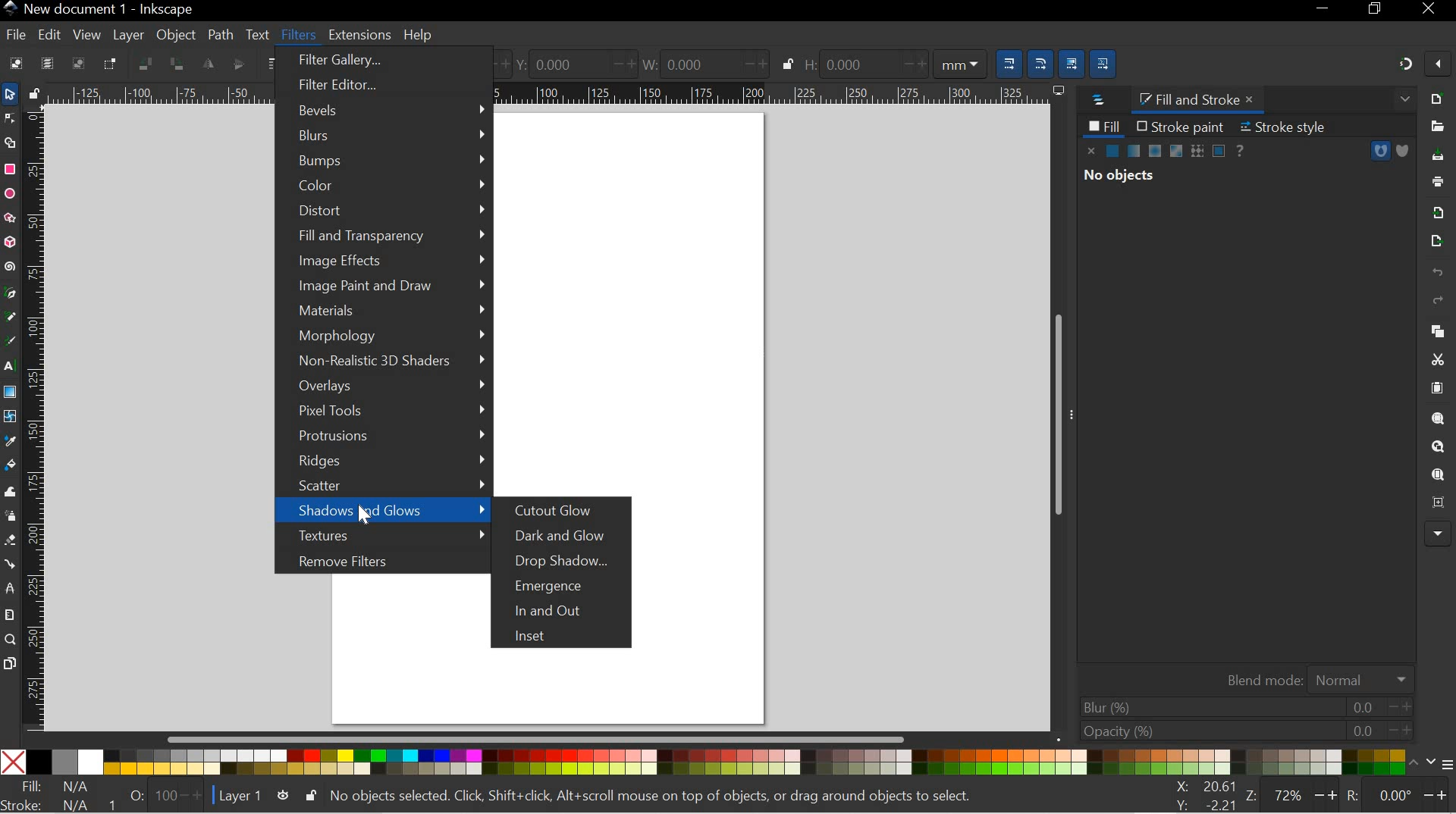  Describe the element at coordinates (54, 805) in the screenshot. I see `STROKE` at that location.